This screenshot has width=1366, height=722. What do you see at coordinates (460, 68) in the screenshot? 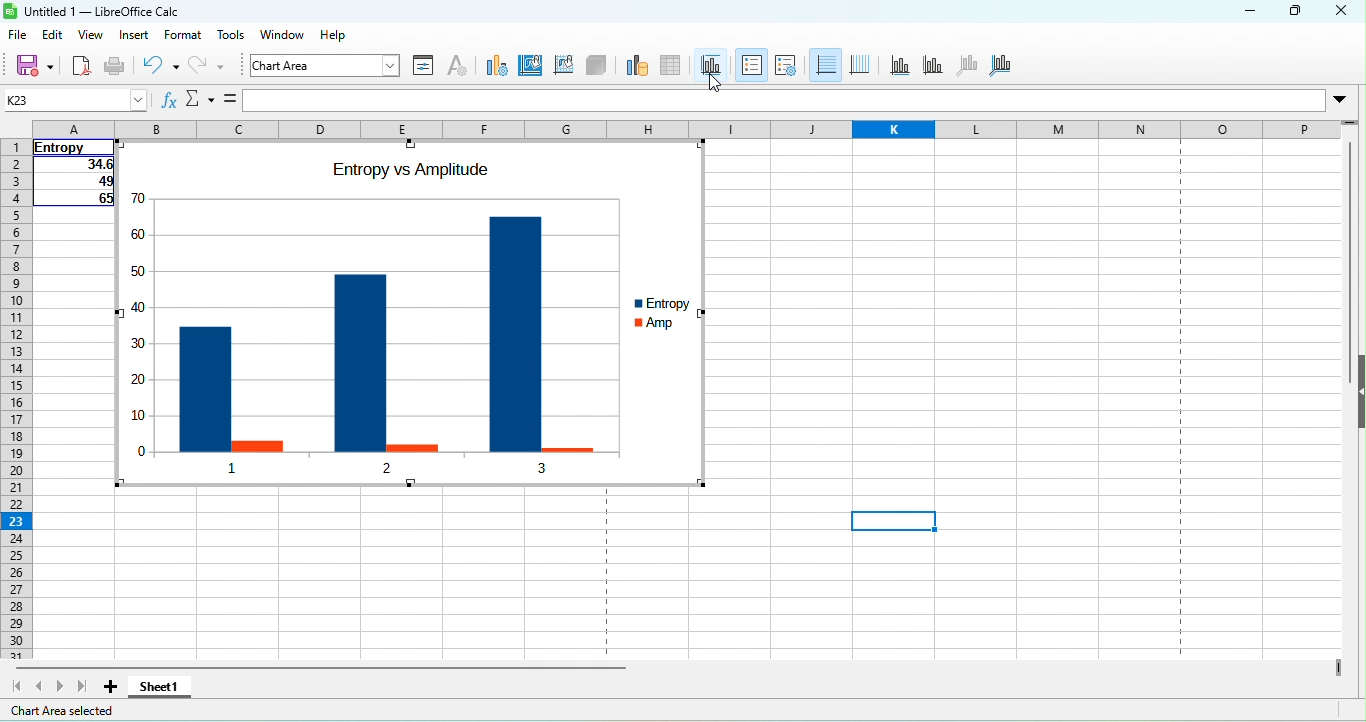
I see `character` at bounding box center [460, 68].